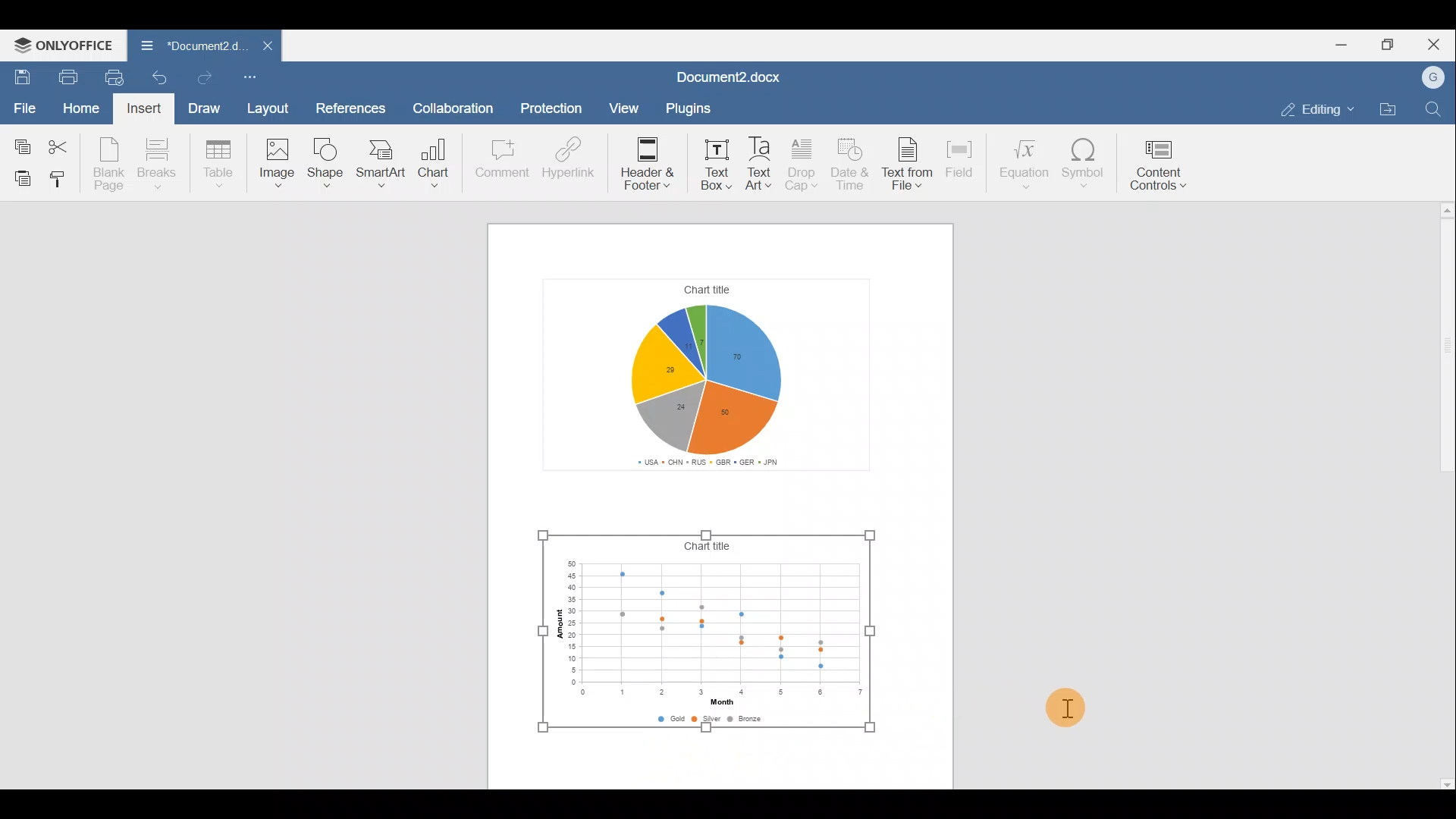 This screenshot has width=1456, height=819. Describe the element at coordinates (165, 162) in the screenshot. I see `Breaks` at that location.